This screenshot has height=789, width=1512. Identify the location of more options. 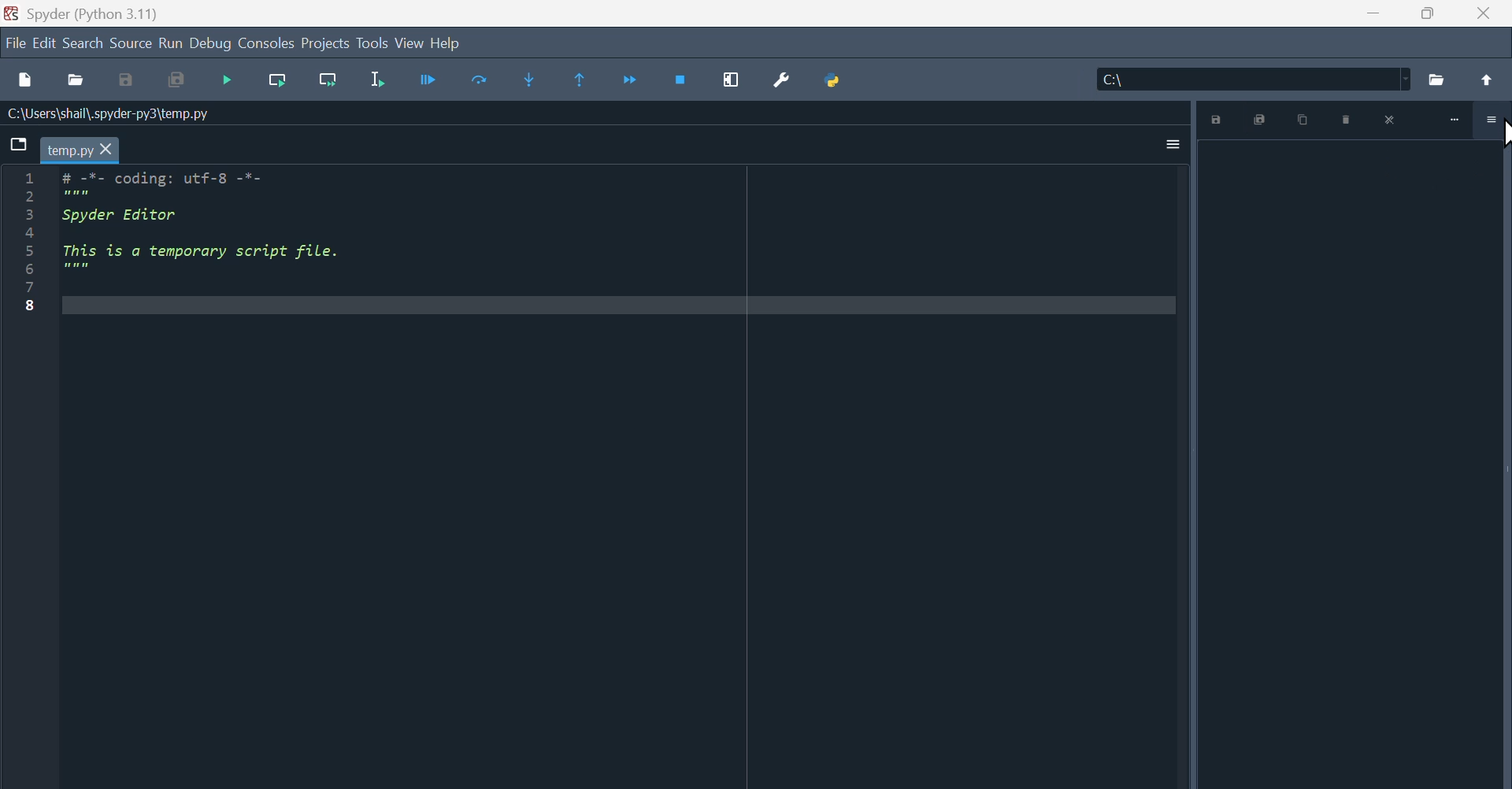
(1488, 120).